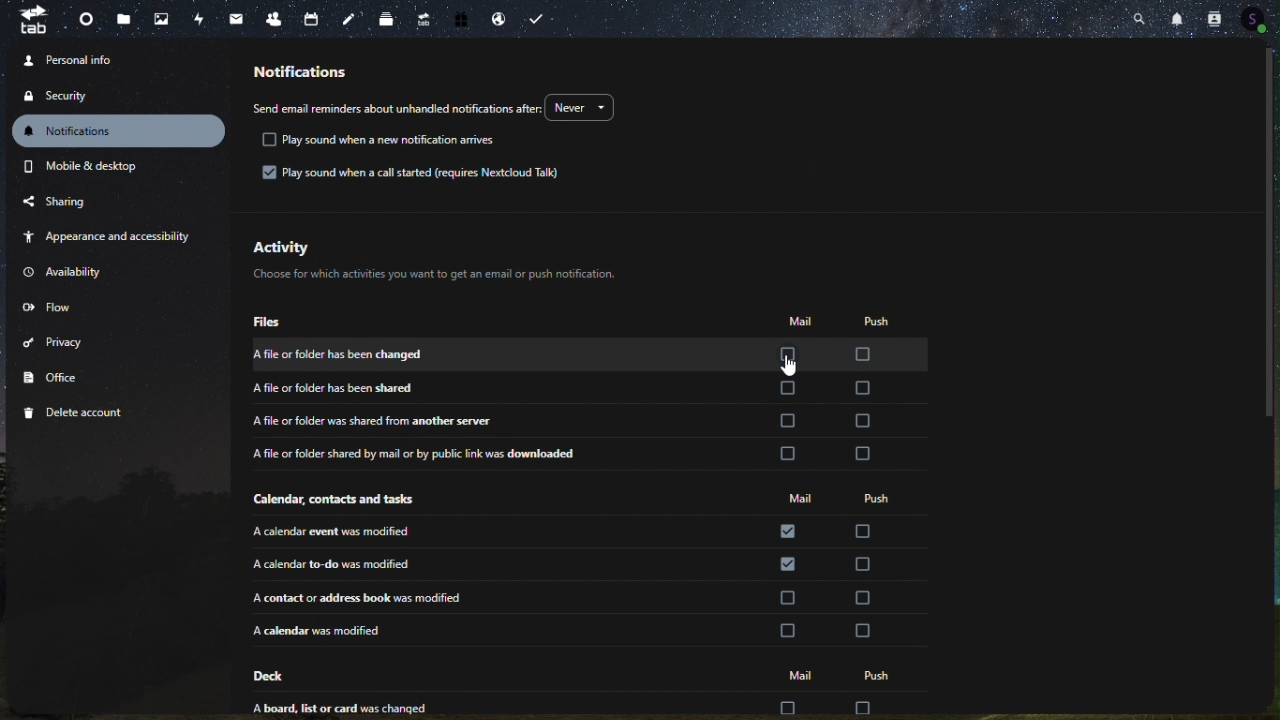 This screenshot has width=1280, height=720. What do you see at coordinates (322, 631) in the screenshot?
I see `a calender was modified` at bounding box center [322, 631].